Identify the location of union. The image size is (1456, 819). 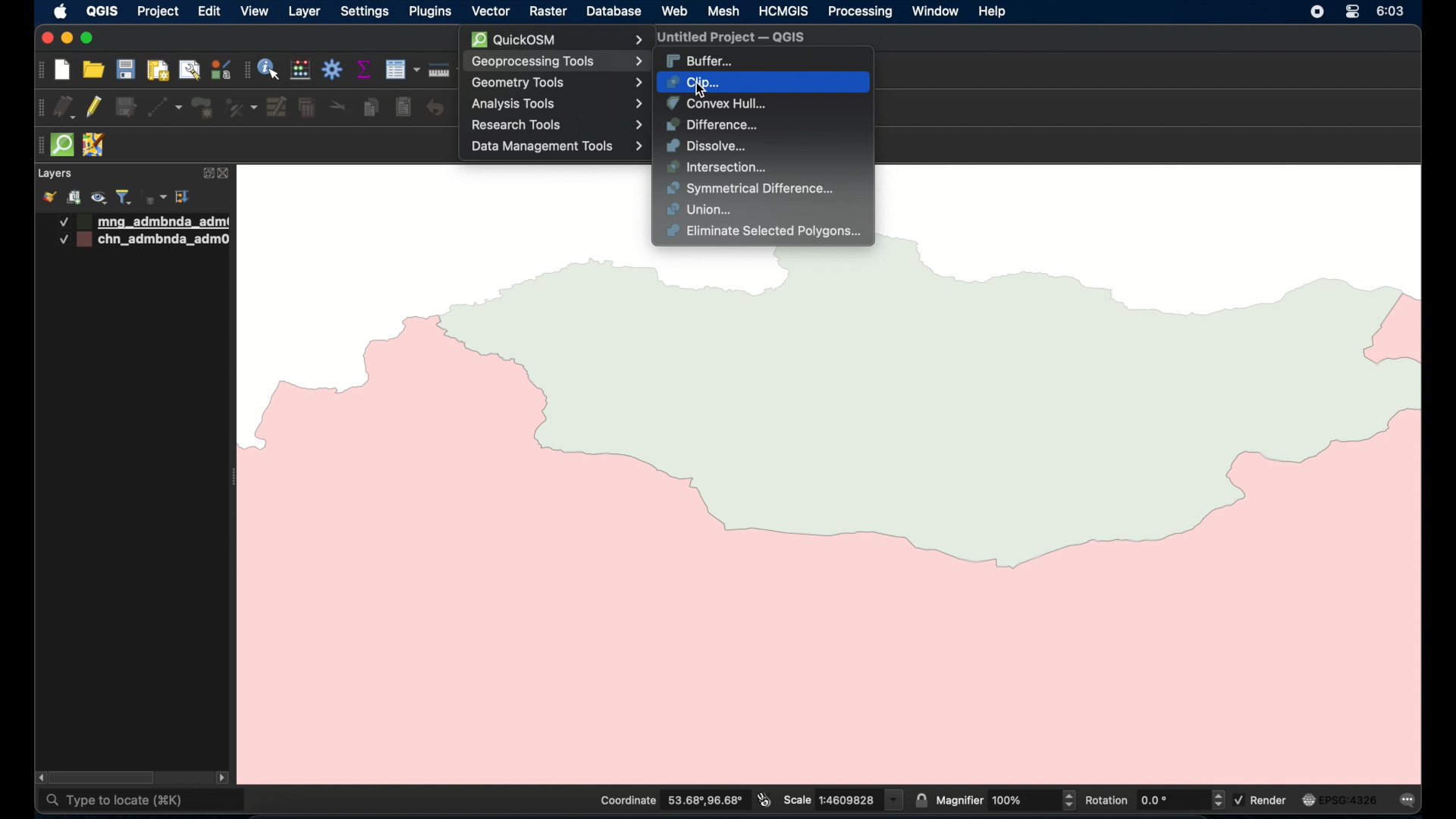
(701, 210).